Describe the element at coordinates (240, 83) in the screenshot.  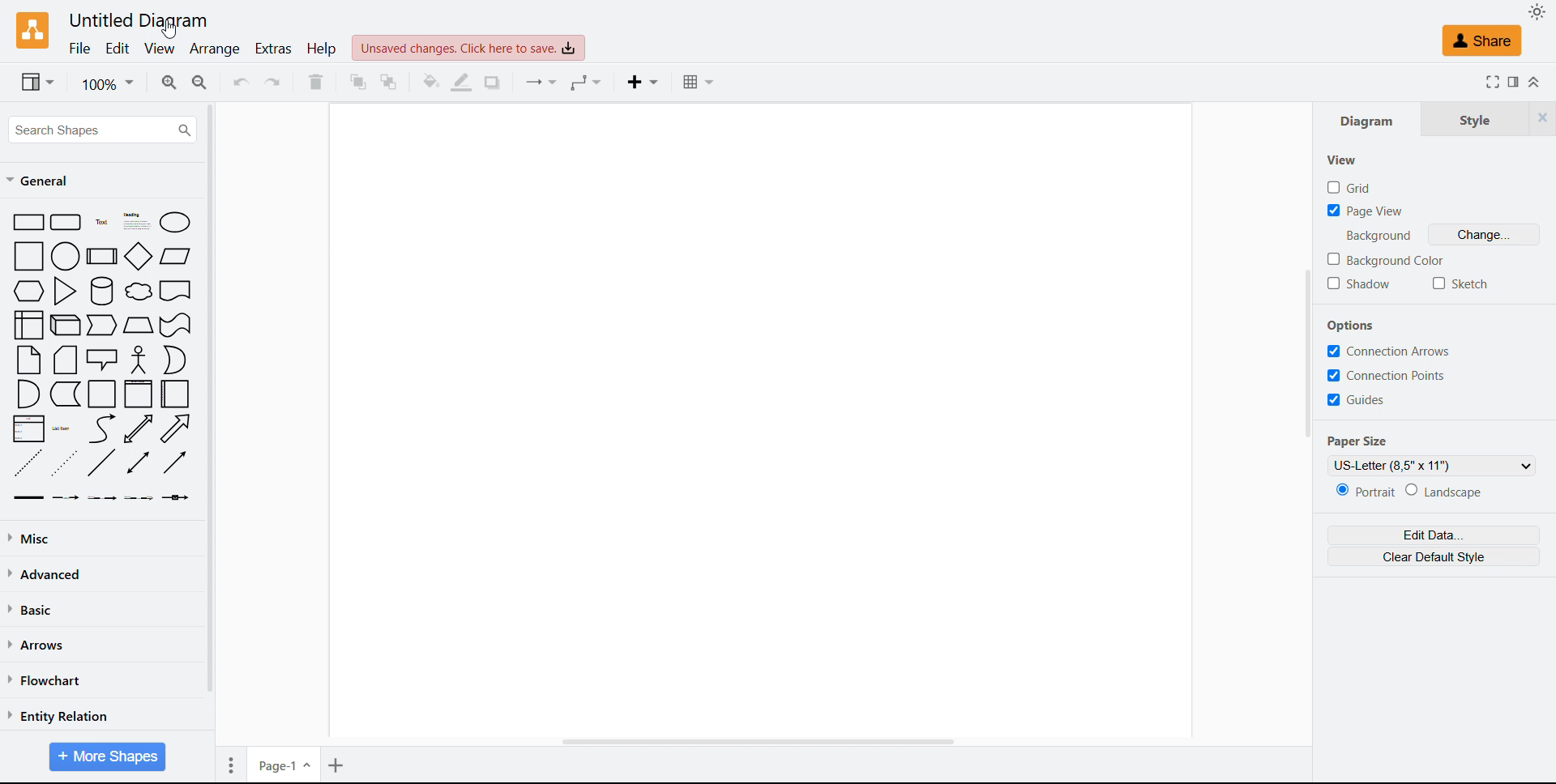
I see `Undo ` at that location.